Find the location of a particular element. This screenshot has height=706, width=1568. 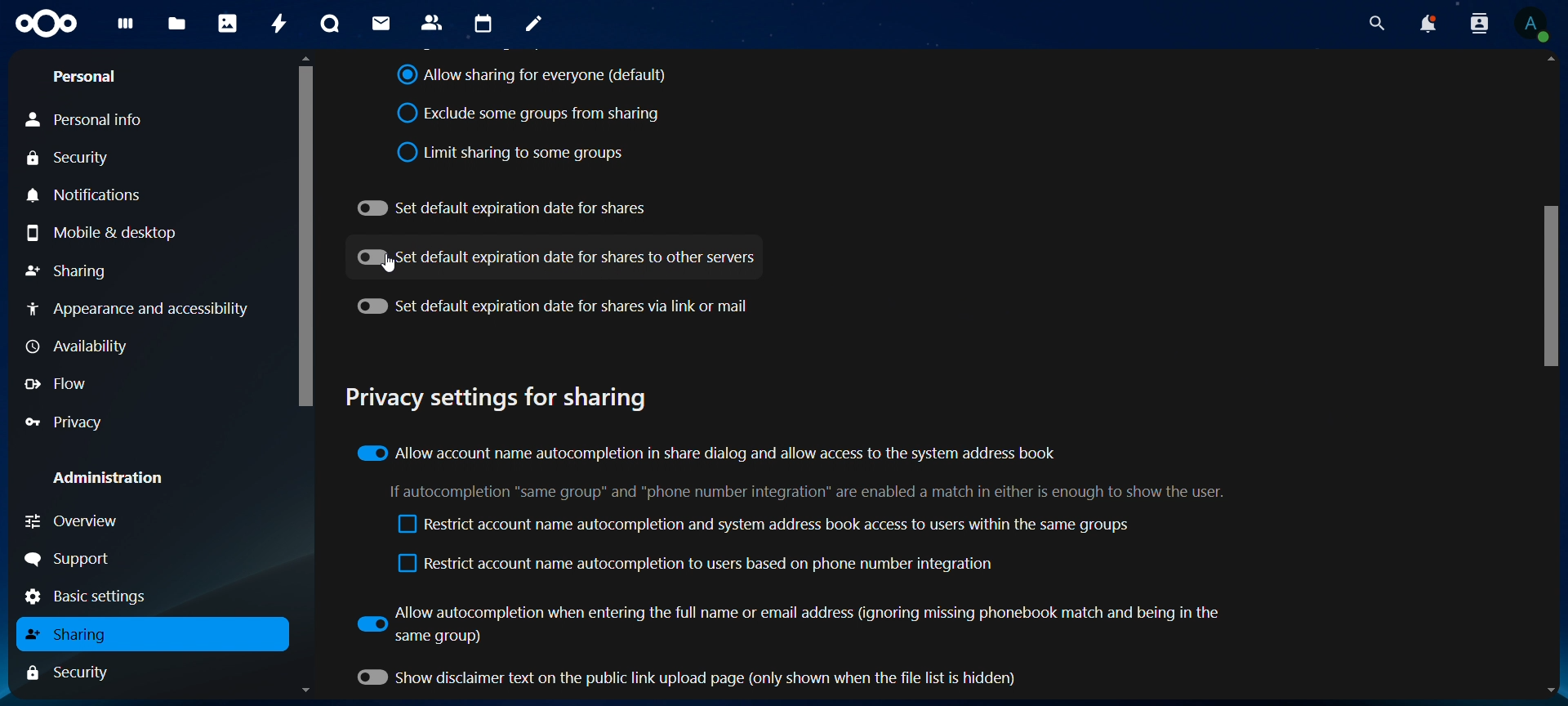

search contacts is located at coordinates (1478, 25).